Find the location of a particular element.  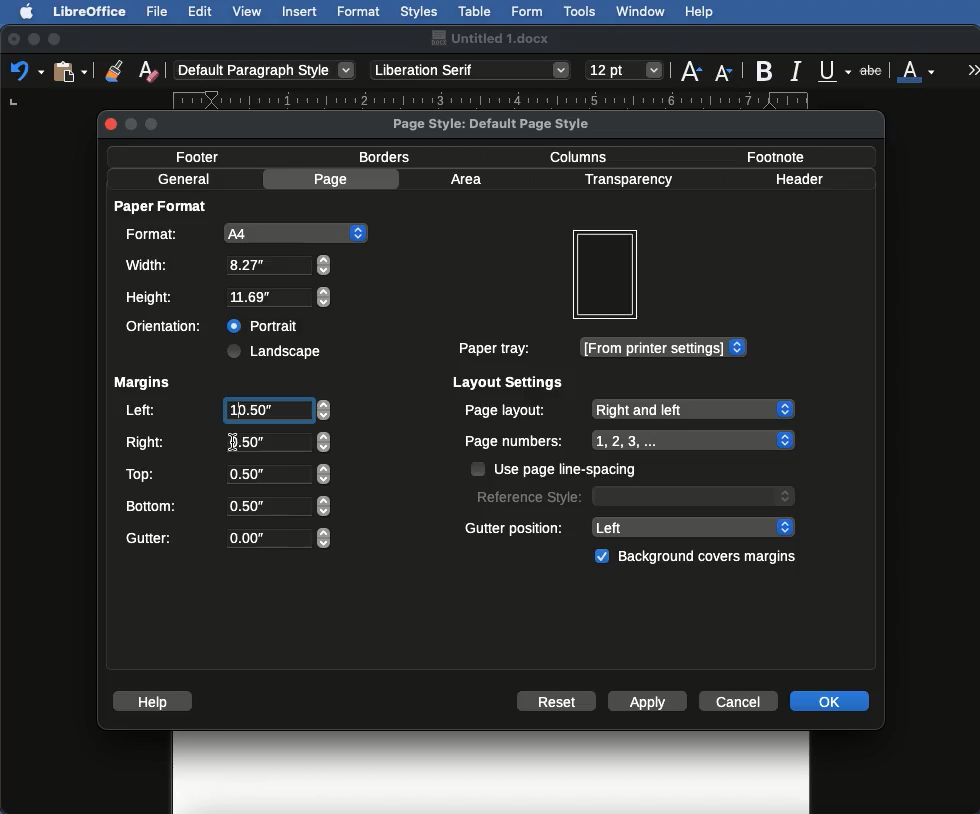

Use page line spacing is located at coordinates (556, 469).